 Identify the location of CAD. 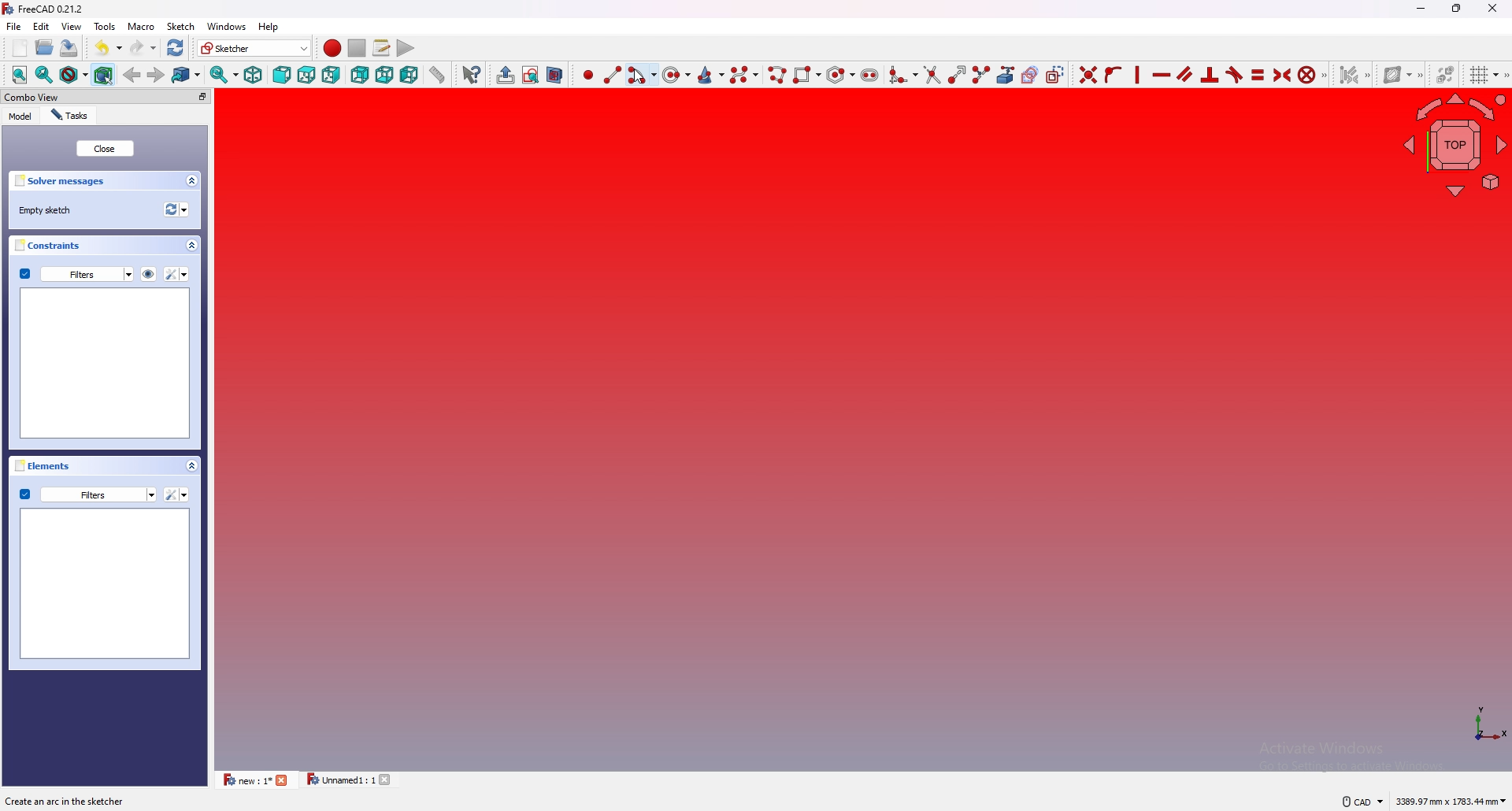
(1361, 801).